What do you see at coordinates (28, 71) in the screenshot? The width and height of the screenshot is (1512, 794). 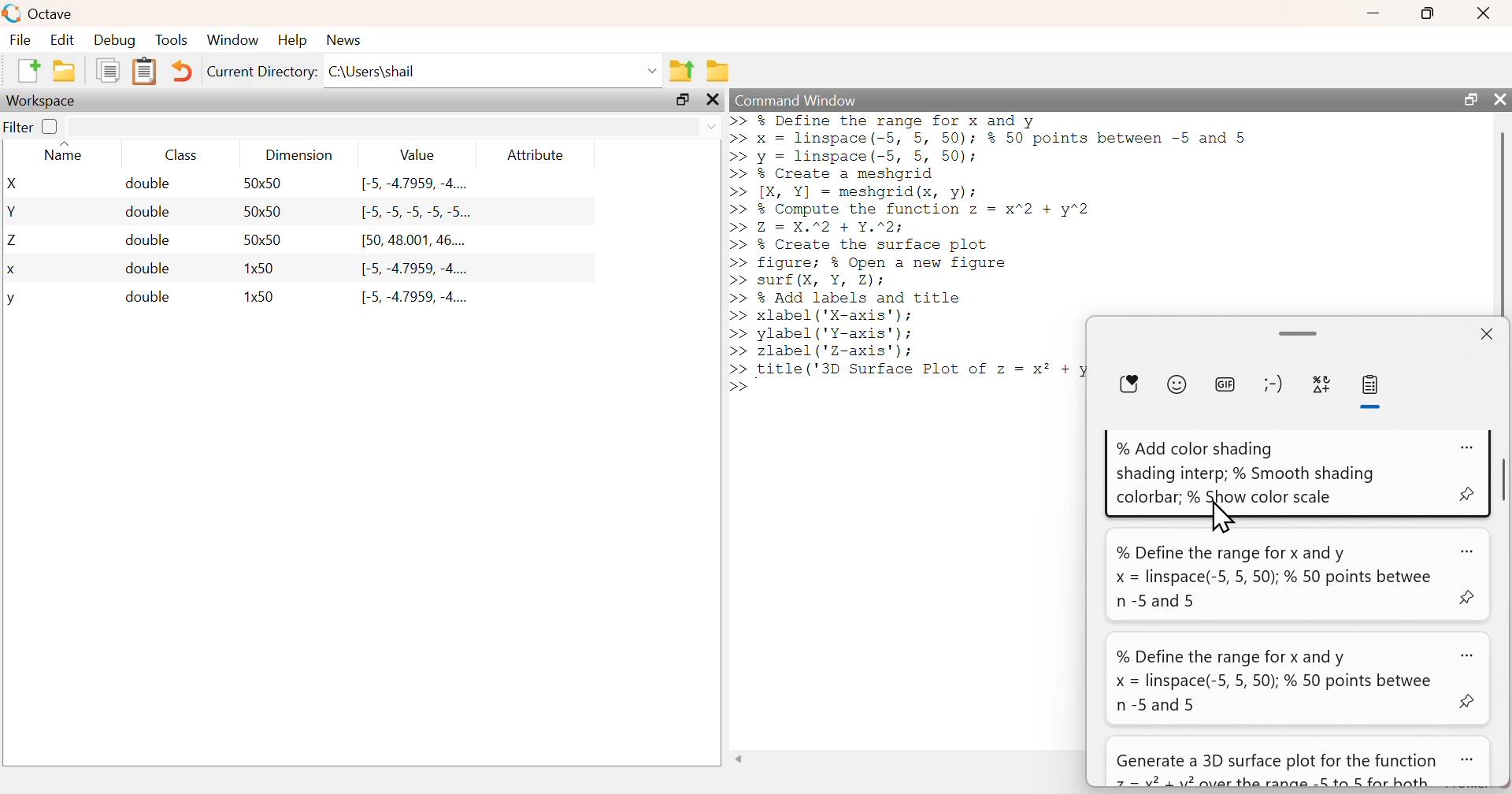 I see `New File` at bounding box center [28, 71].